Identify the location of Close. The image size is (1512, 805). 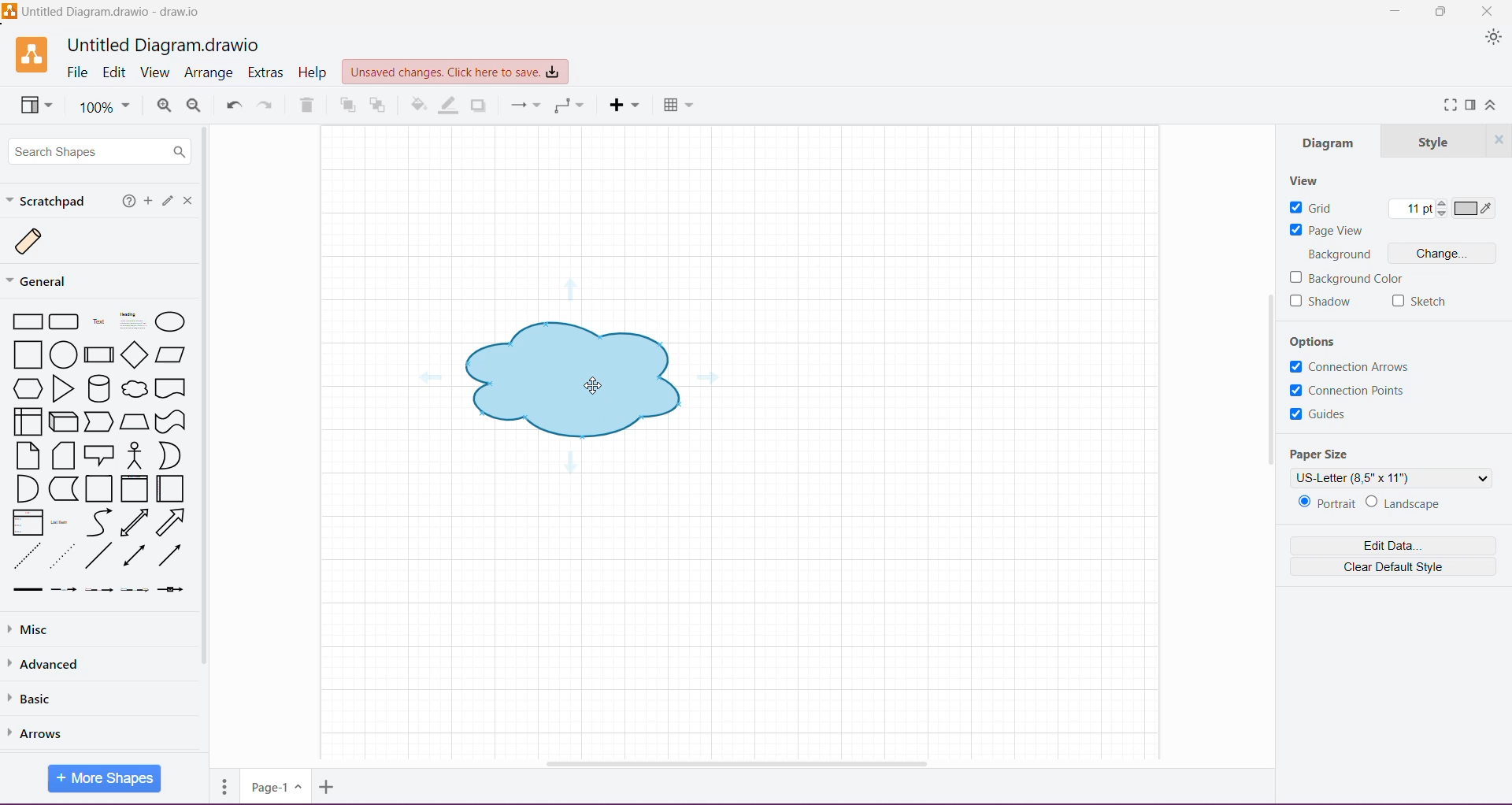
(189, 202).